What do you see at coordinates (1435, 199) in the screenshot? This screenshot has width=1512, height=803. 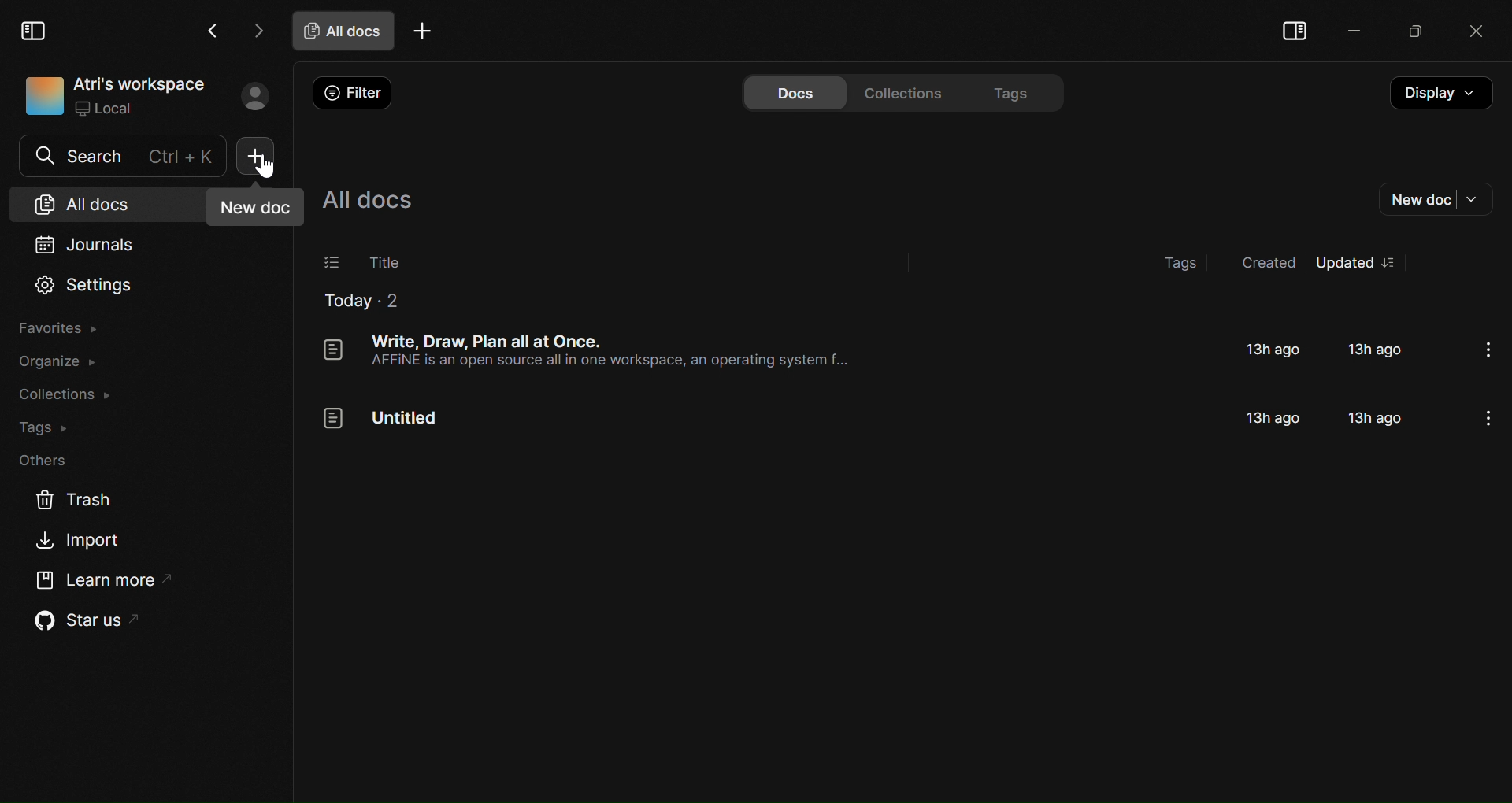 I see `New doc` at bounding box center [1435, 199].